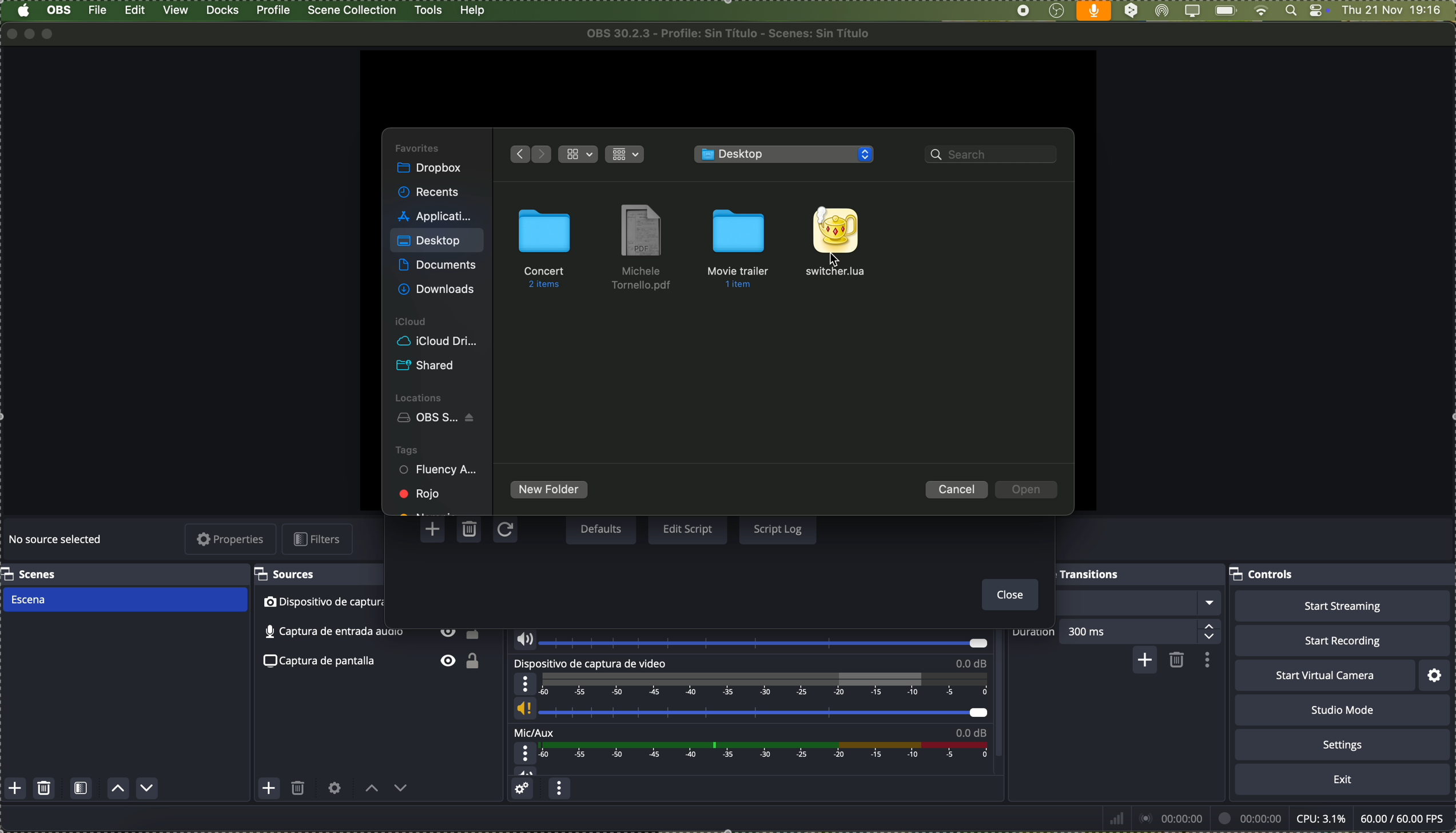 This screenshot has width=1456, height=833. What do you see at coordinates (57, 541) in the screenshot?
I see `no source selected` at bounding box center [57, 541].